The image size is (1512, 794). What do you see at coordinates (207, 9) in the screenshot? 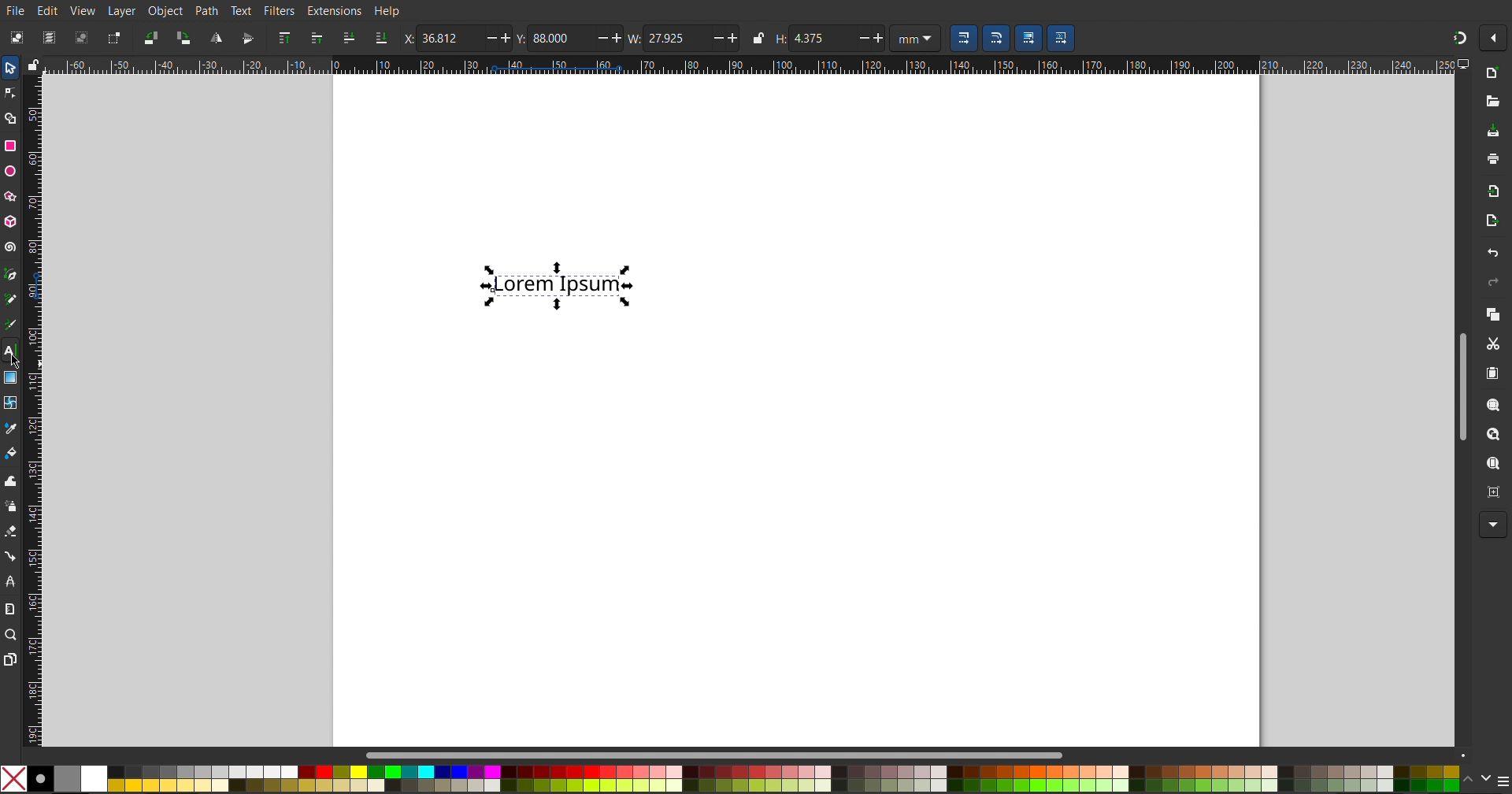
I see `Path` at bounding box center [207, 9].